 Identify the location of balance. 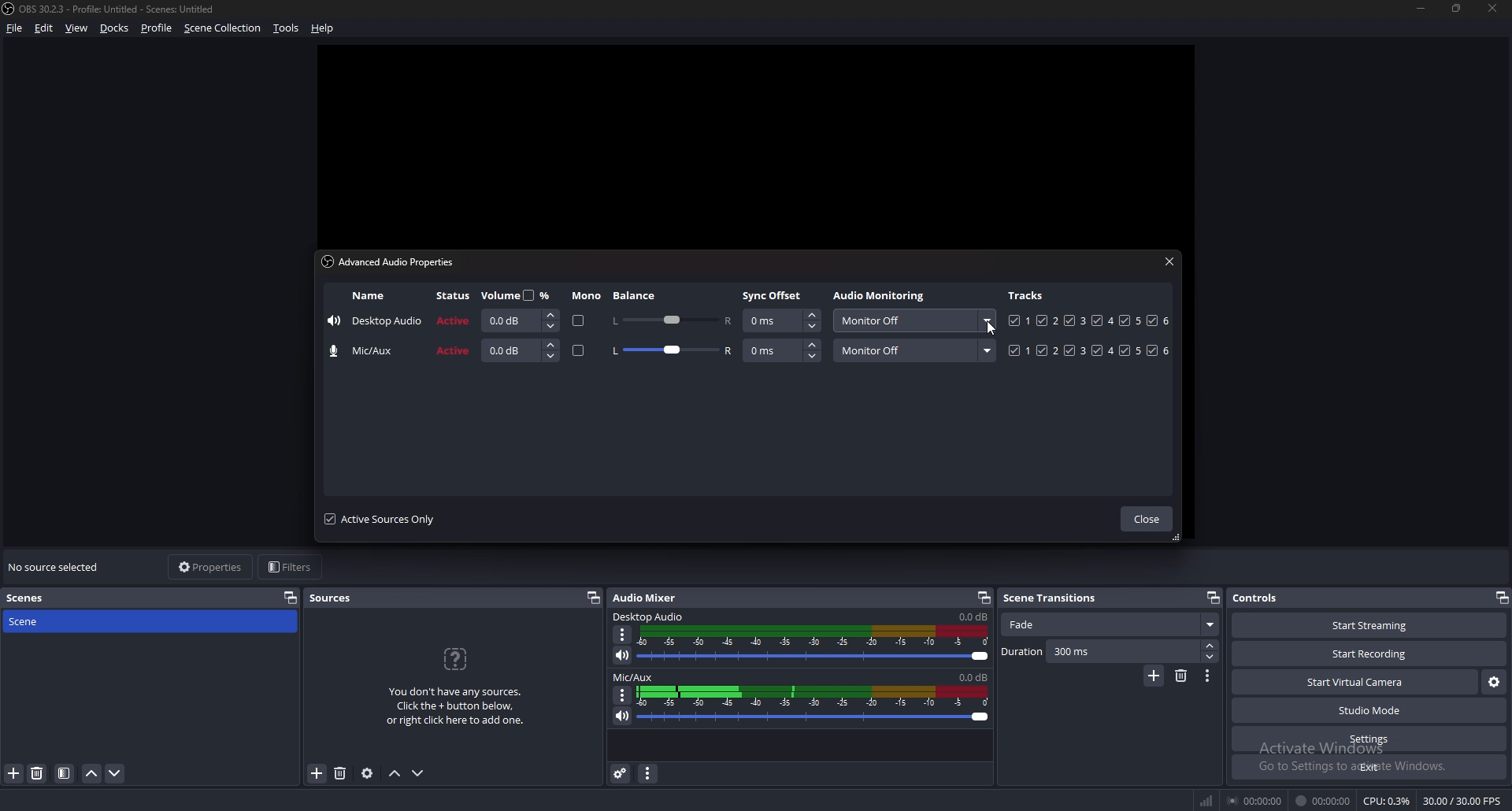
(636, 295).